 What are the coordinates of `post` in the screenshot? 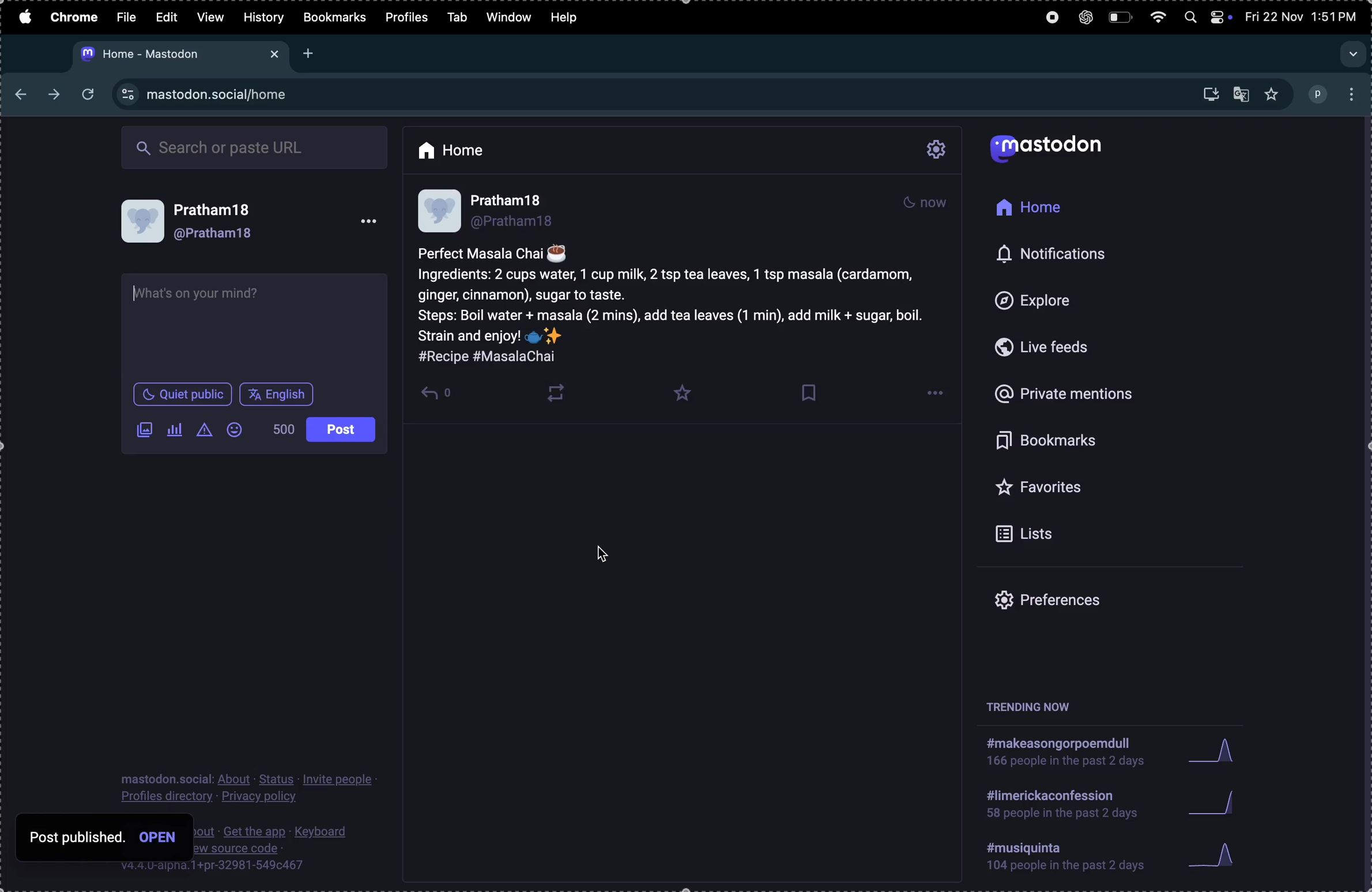 It's located at (341, 430).